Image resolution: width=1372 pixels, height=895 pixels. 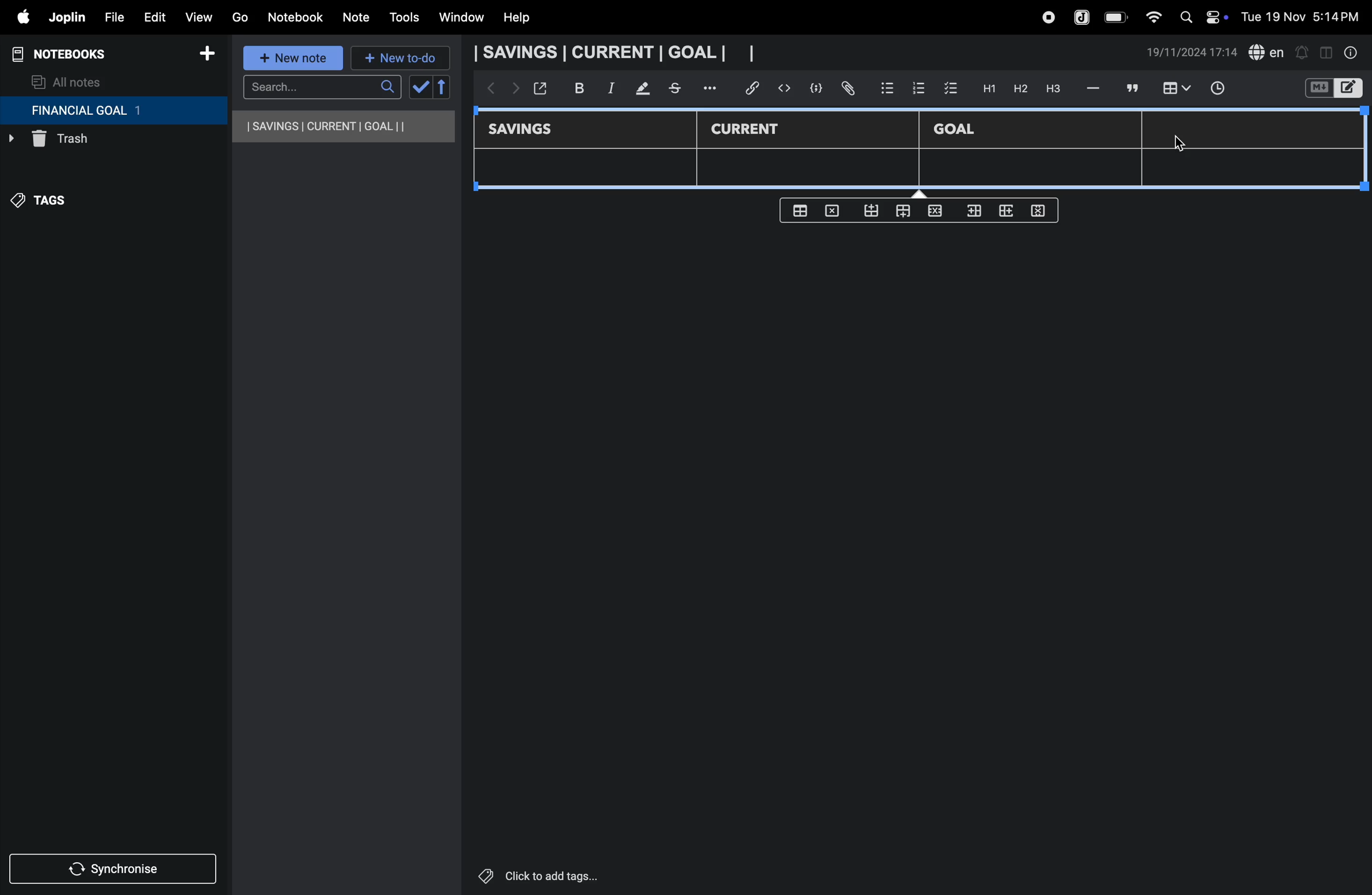 I want to click on bullet list, so click(x=887, y=87).